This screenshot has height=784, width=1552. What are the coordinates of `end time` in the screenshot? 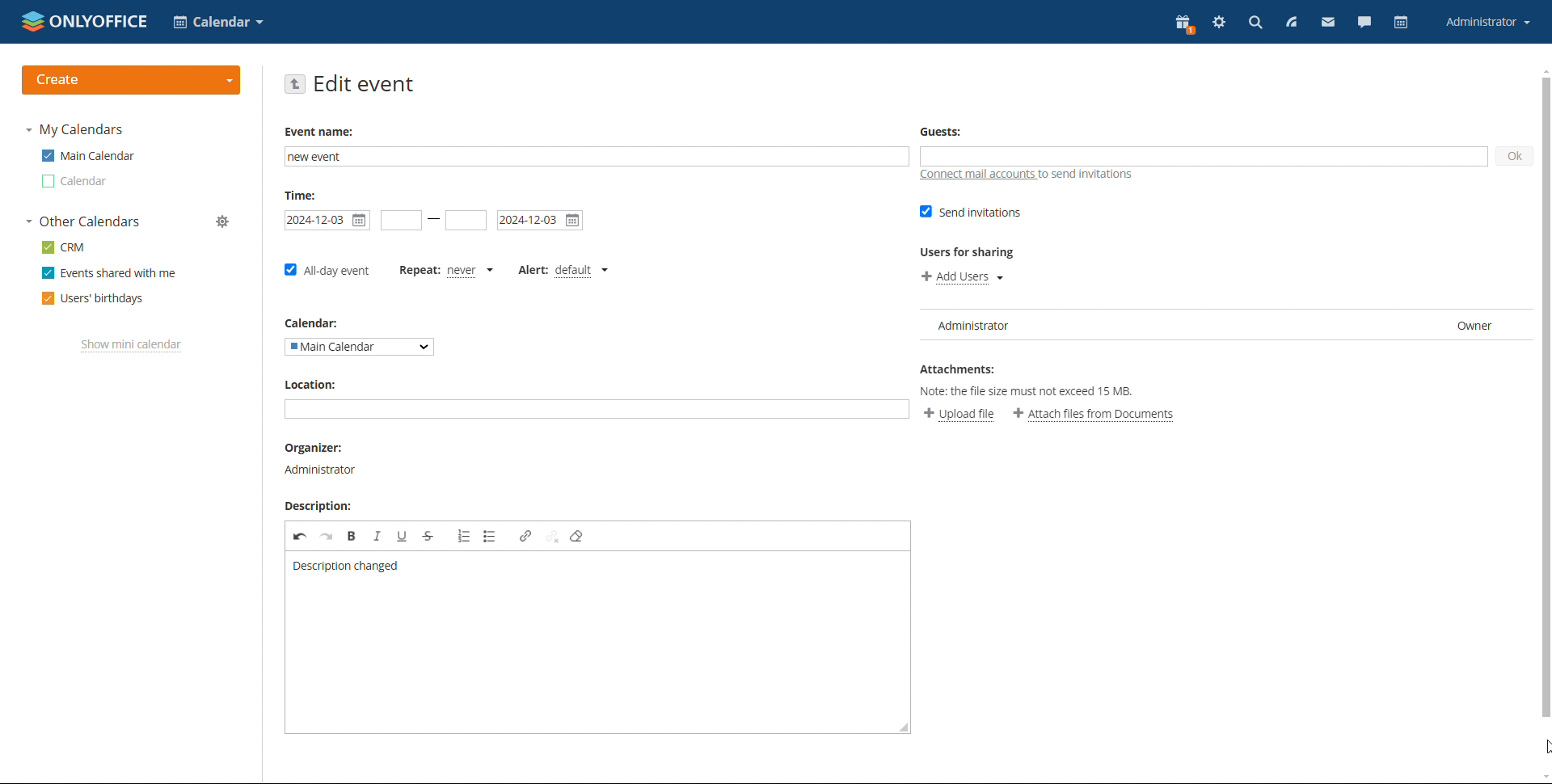 It's located at (466, 221).